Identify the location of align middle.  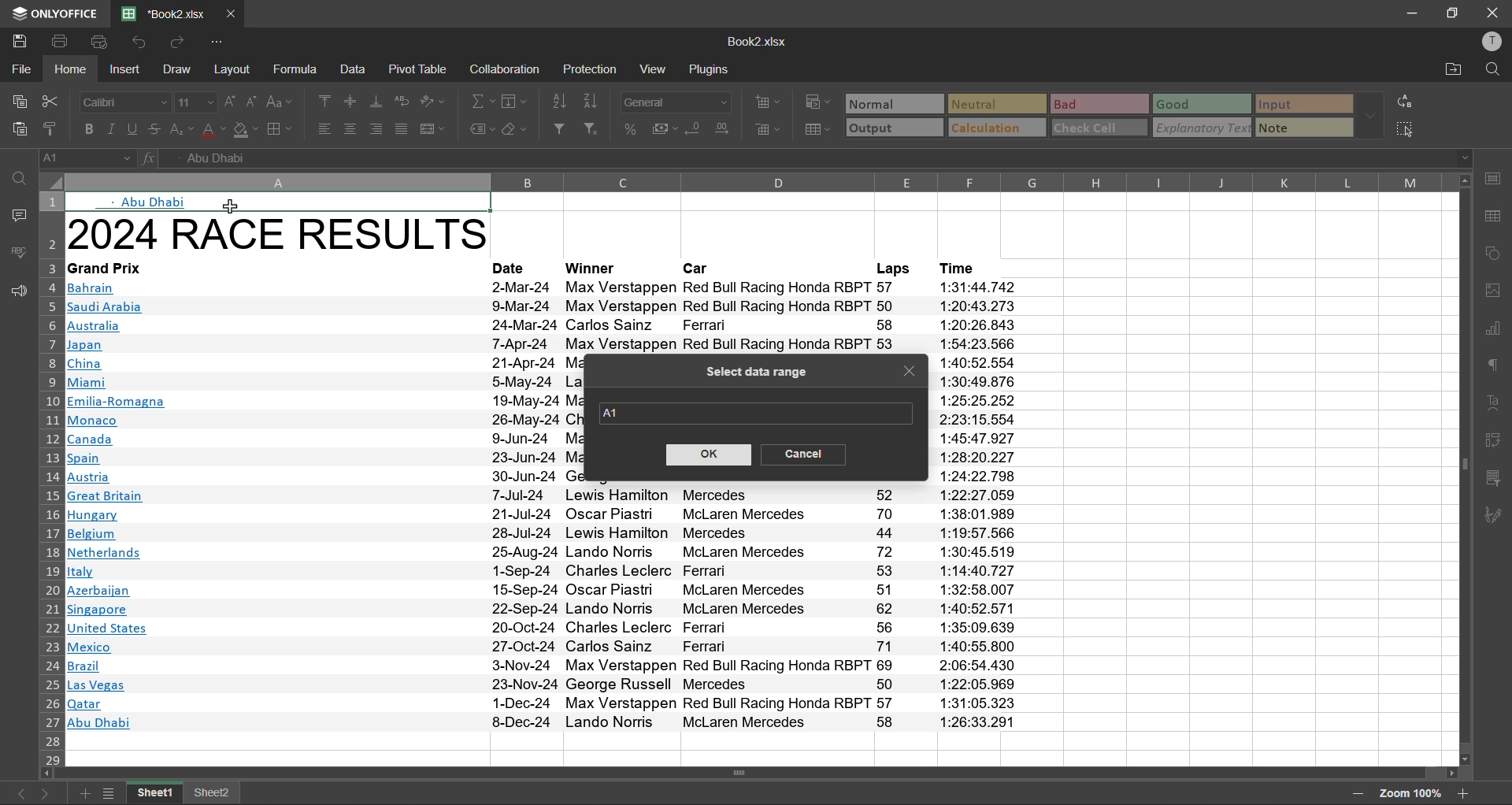
(350, 102).